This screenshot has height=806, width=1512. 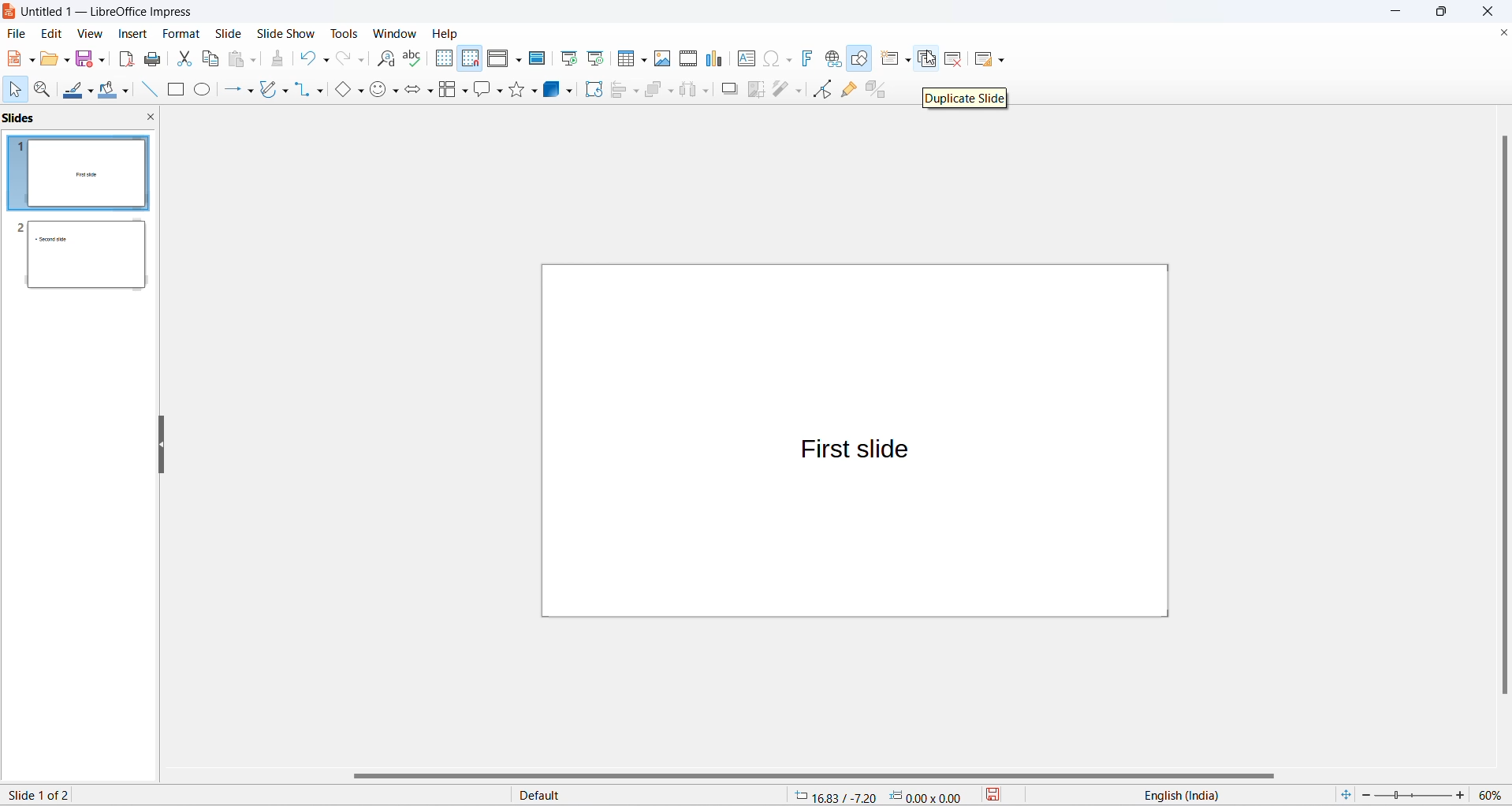 What do you see at coordinates (661, 58) in the screenshot?
I see `insert images` at bounding box center [661, 58].